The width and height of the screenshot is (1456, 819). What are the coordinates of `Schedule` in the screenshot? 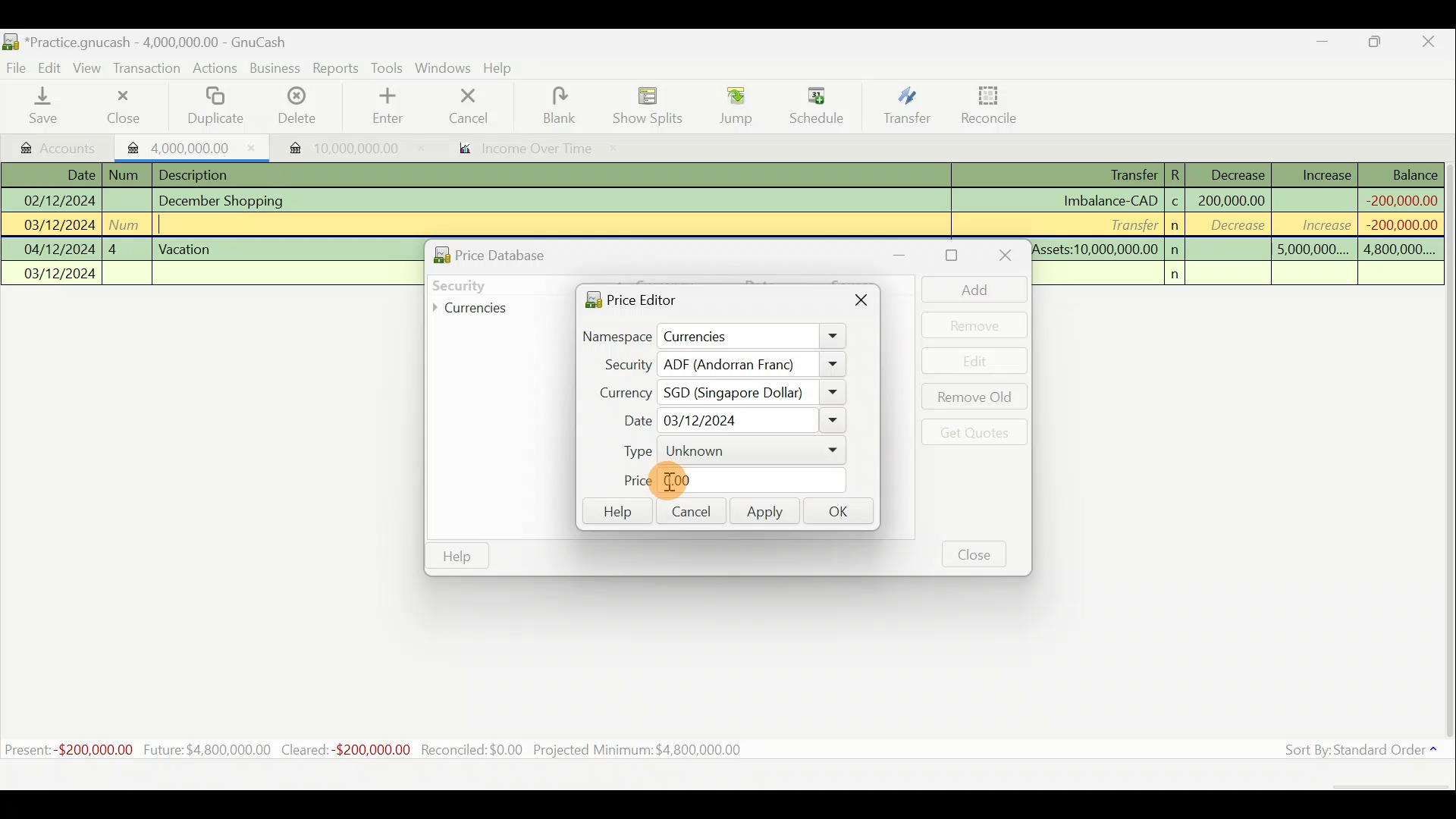 It's located at (817, 105).